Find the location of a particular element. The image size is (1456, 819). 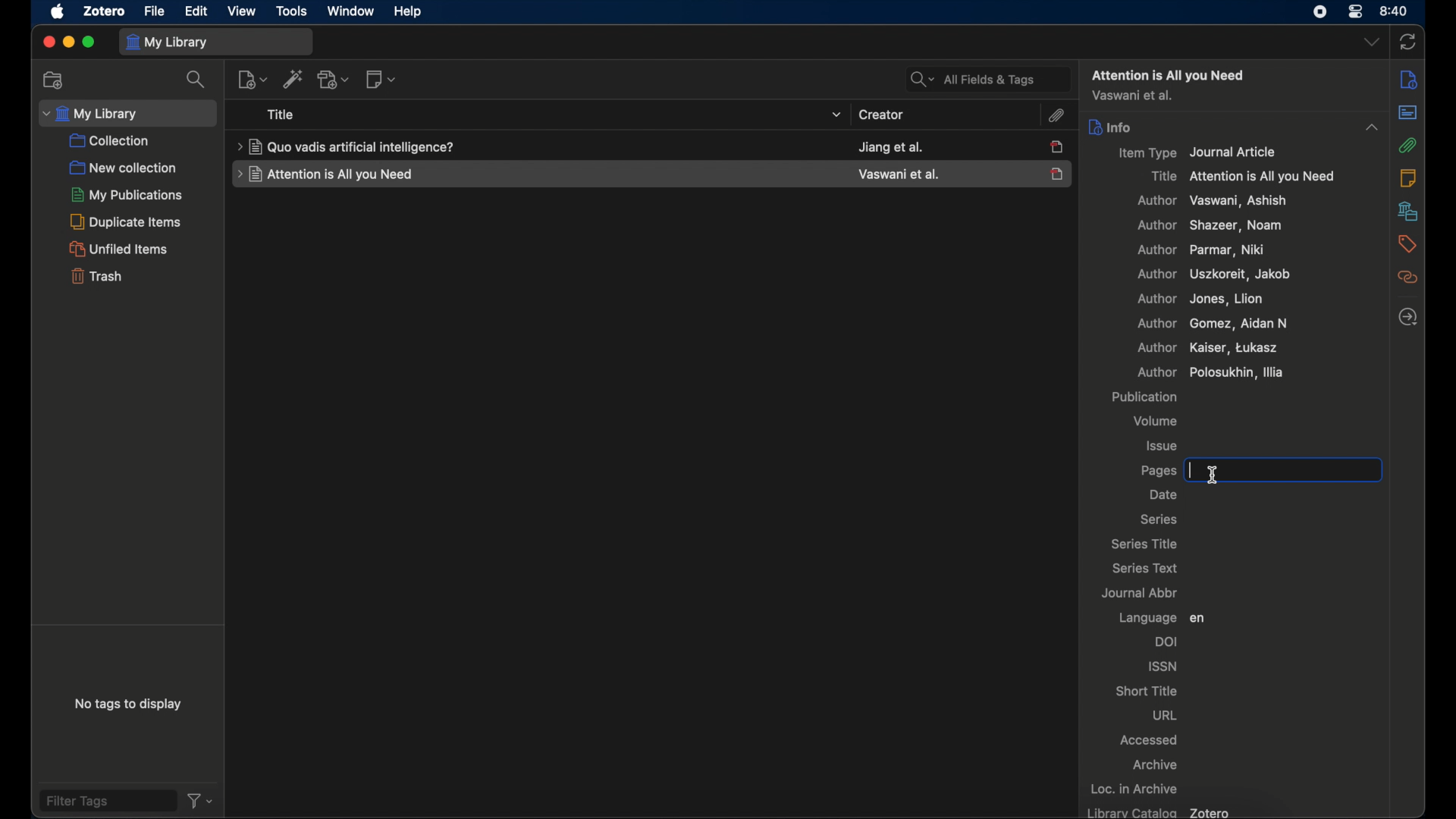

help is located at coordinates (409, 12).